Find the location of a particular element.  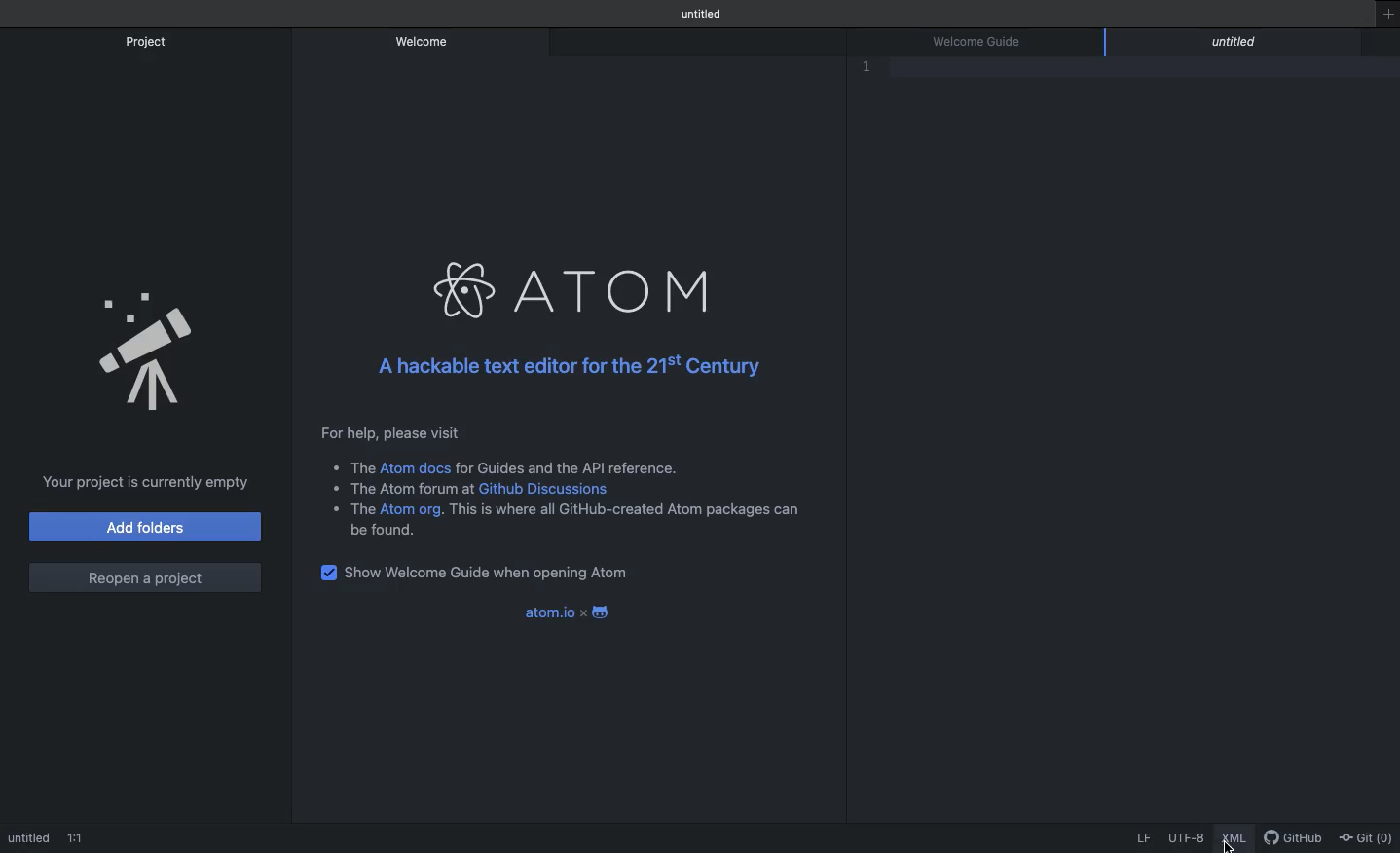

A hackable text editor is located at coordinates (570, 365).